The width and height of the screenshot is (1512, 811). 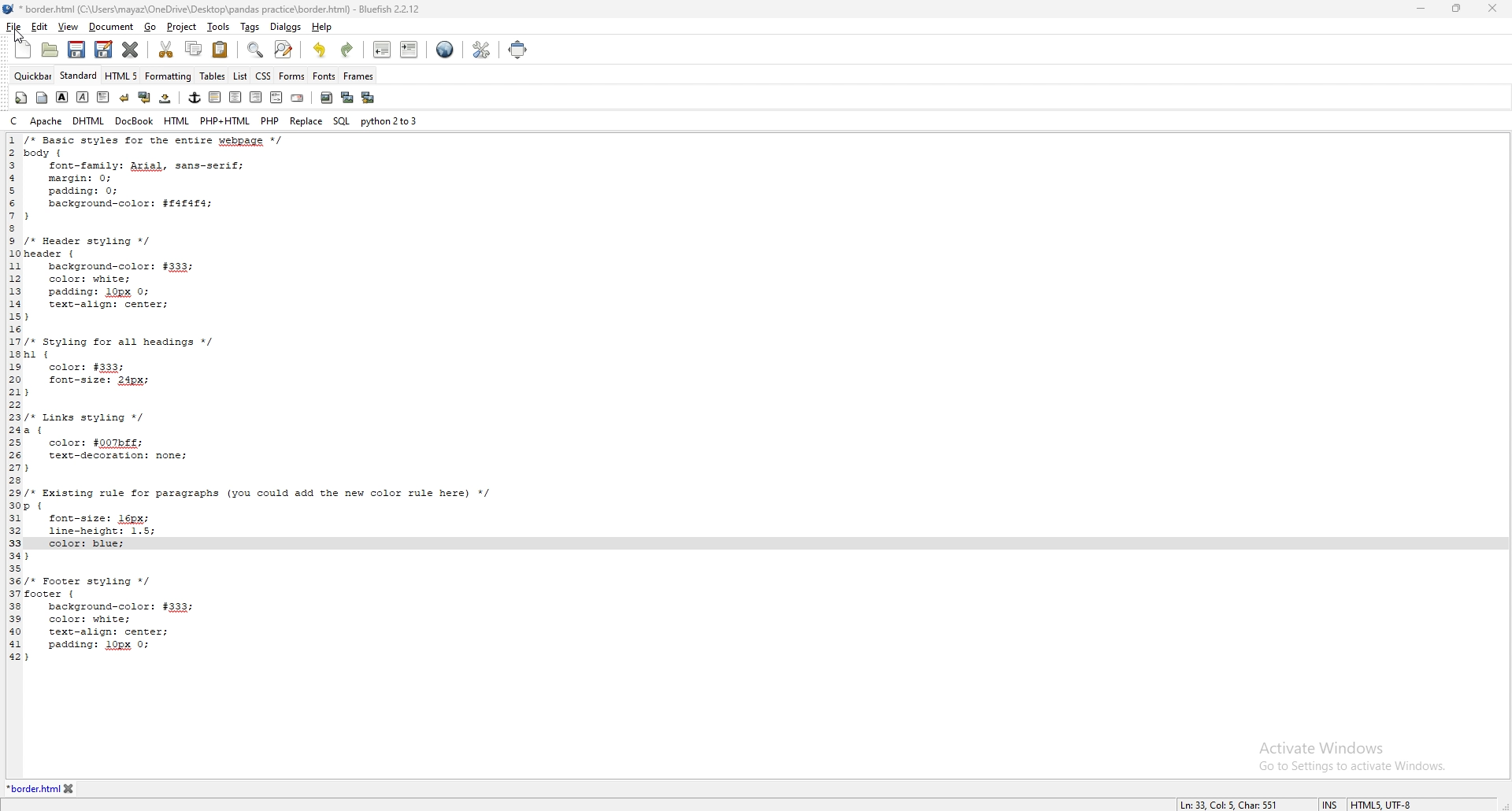 I want to click on Ln: 33, Col: 5. Char: 551, so click(x=1221, y=805).